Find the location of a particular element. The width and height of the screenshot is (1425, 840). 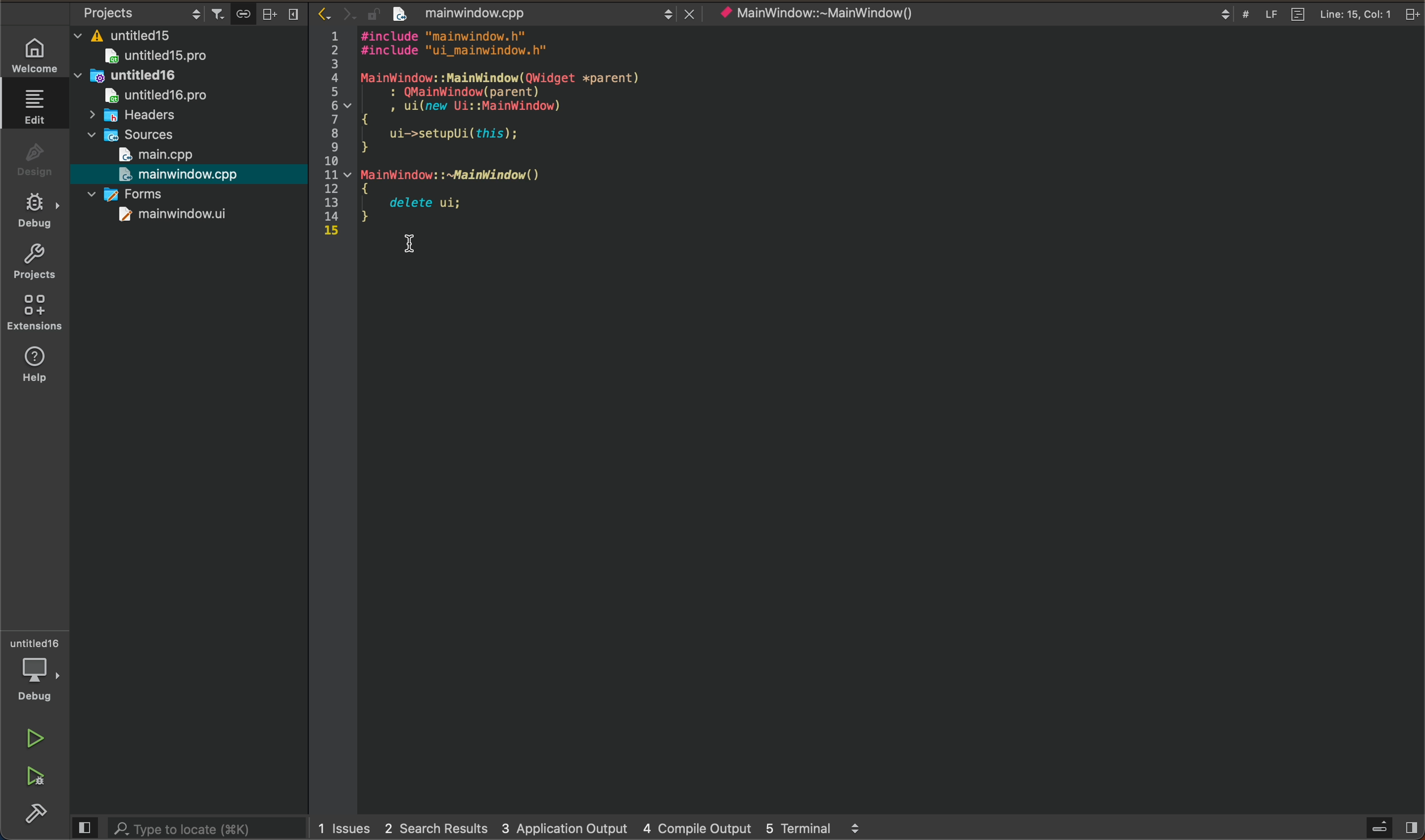

sources is located at coordinates (139, 136).